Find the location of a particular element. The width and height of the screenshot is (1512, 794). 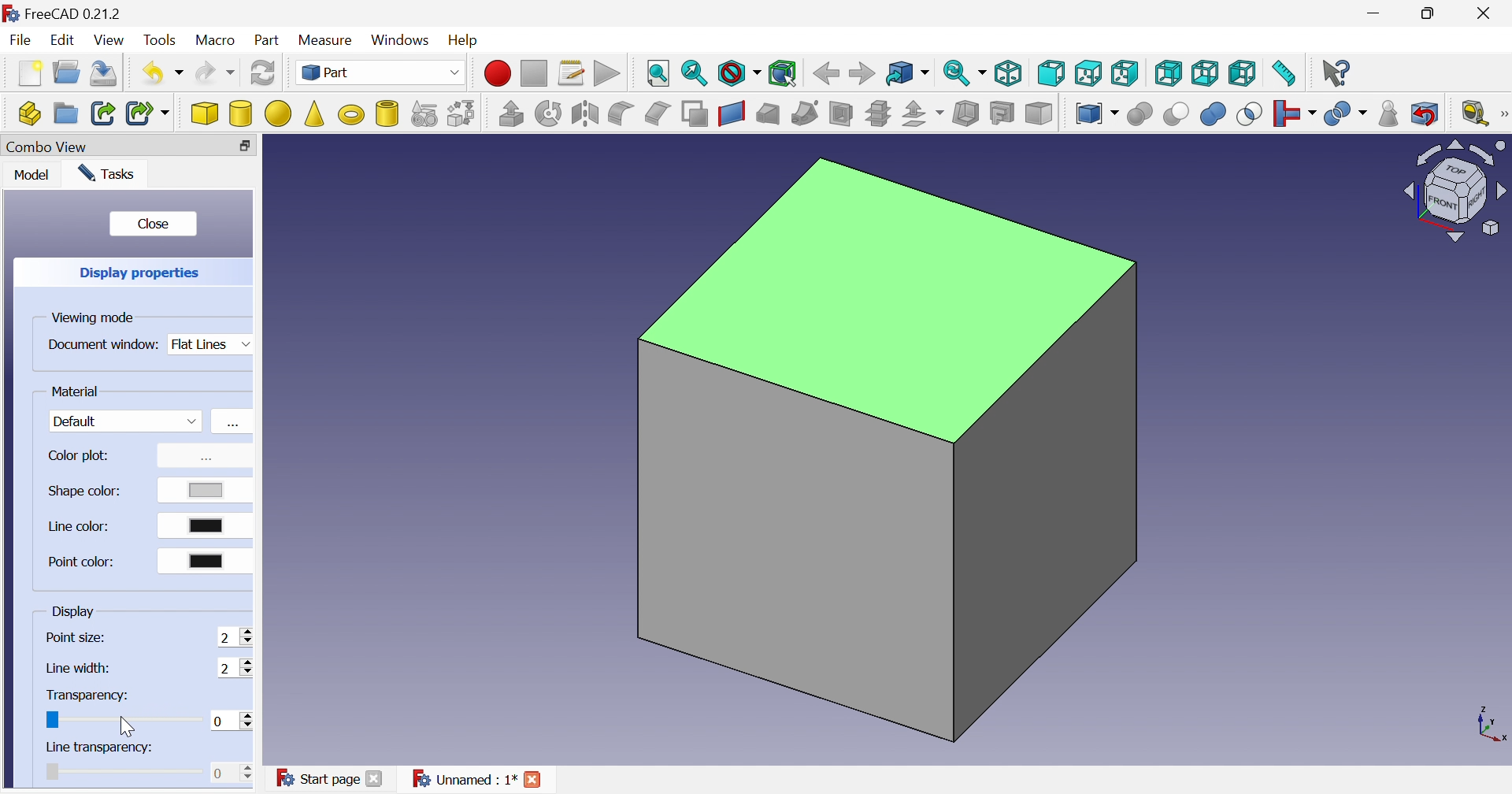

Draw style is located at coordinates (740, 72).